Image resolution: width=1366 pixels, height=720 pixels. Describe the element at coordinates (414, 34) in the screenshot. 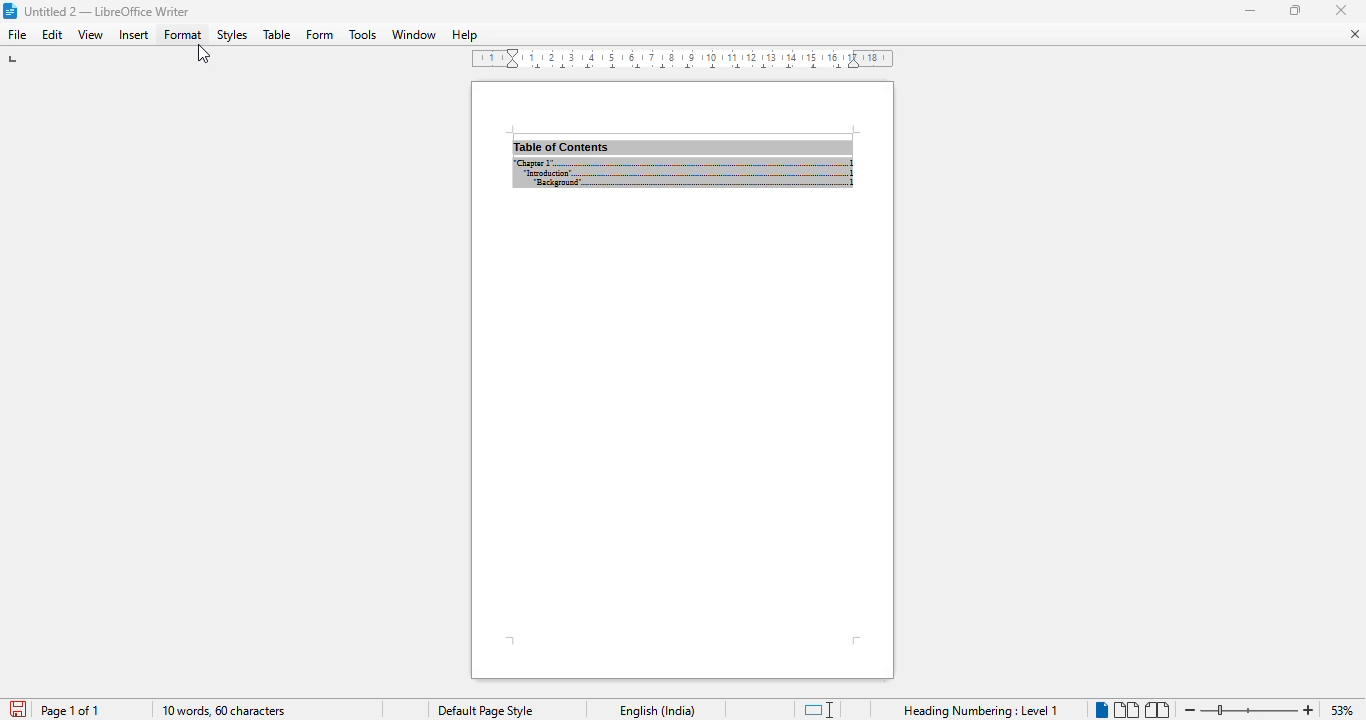

I see `window` at that location.